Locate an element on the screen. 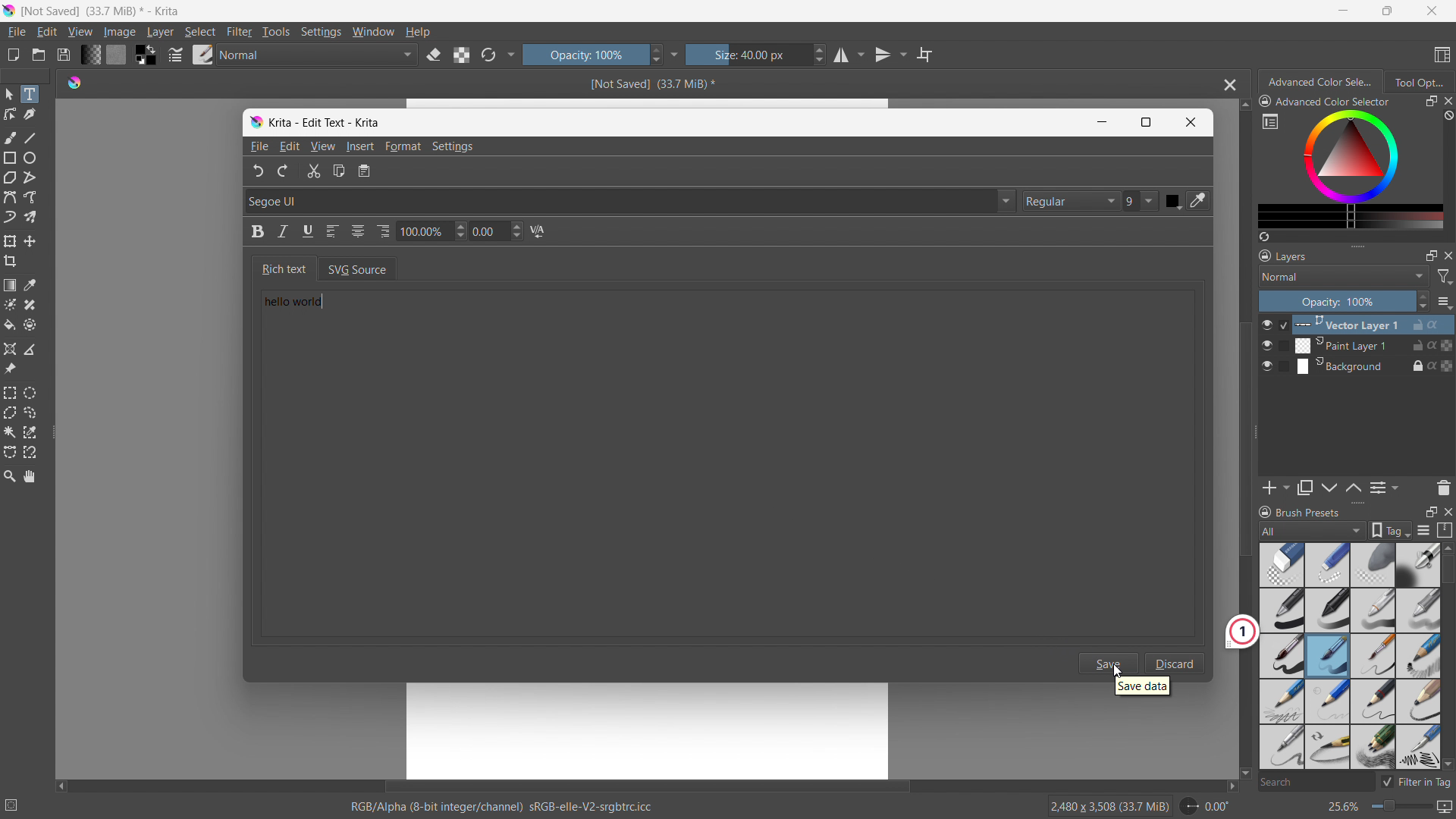 The height and width of the screenshot is (819, 1456). layer is located at coordinates (160, 32).